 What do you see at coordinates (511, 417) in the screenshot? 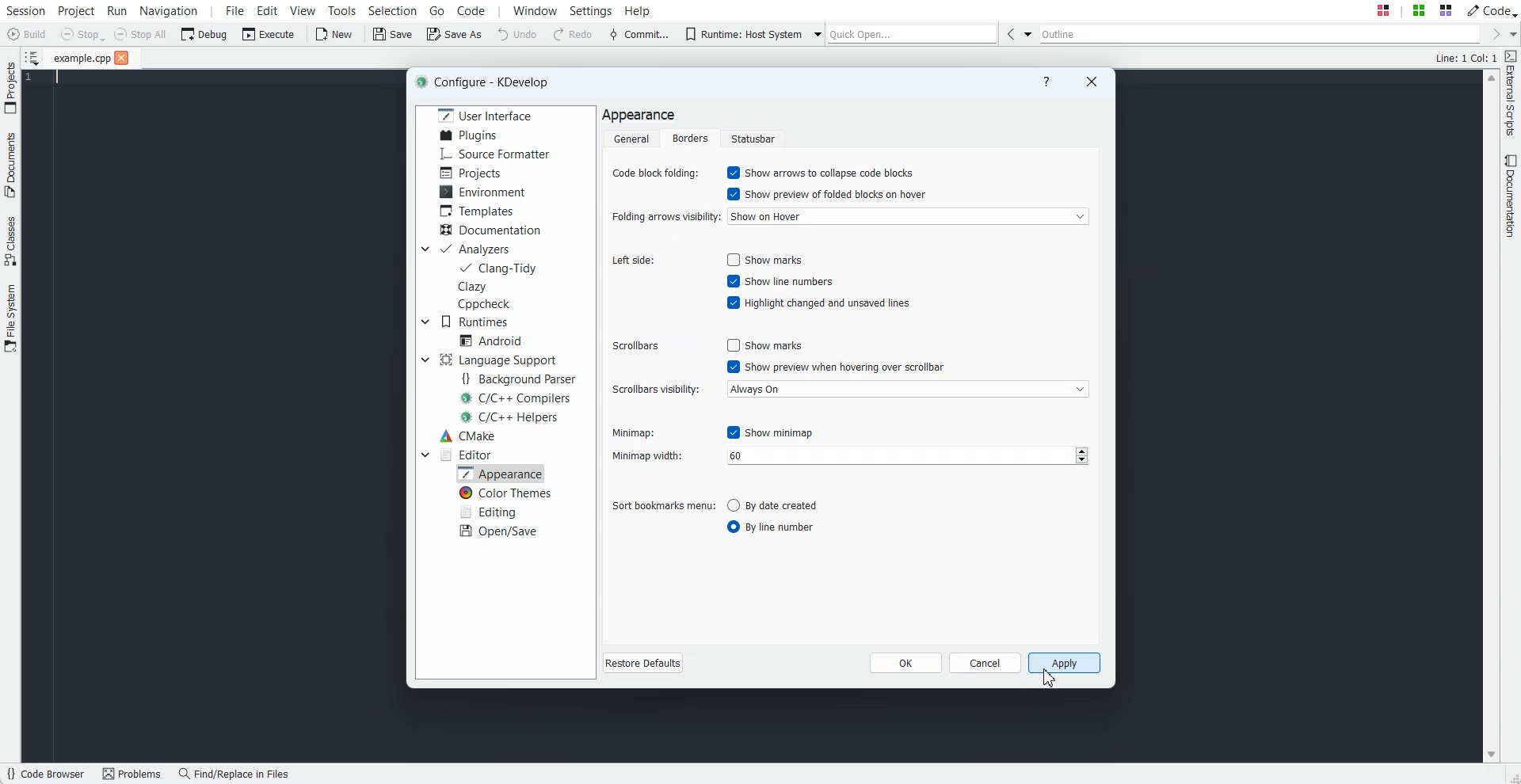
I see `C/C++ Helpers` at bounding box center [511, 417].